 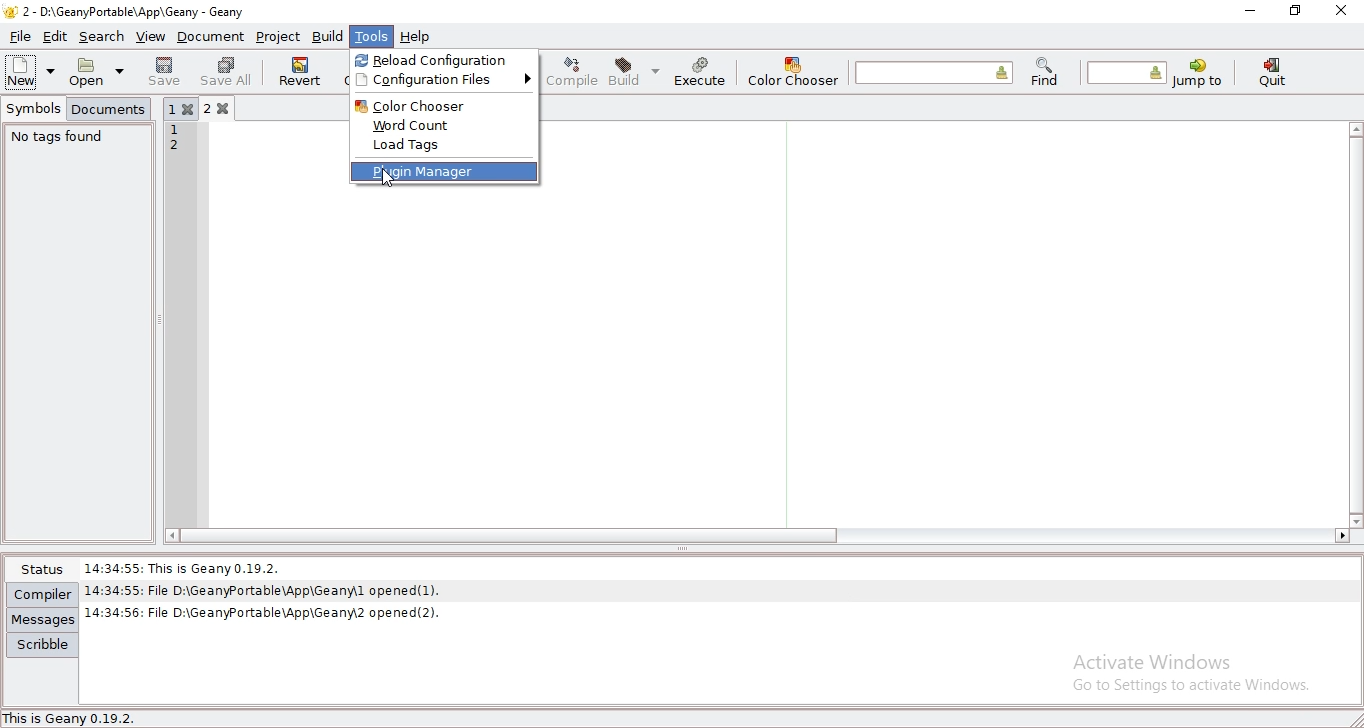 I want to click on symbols, so click(x=35, y=108).